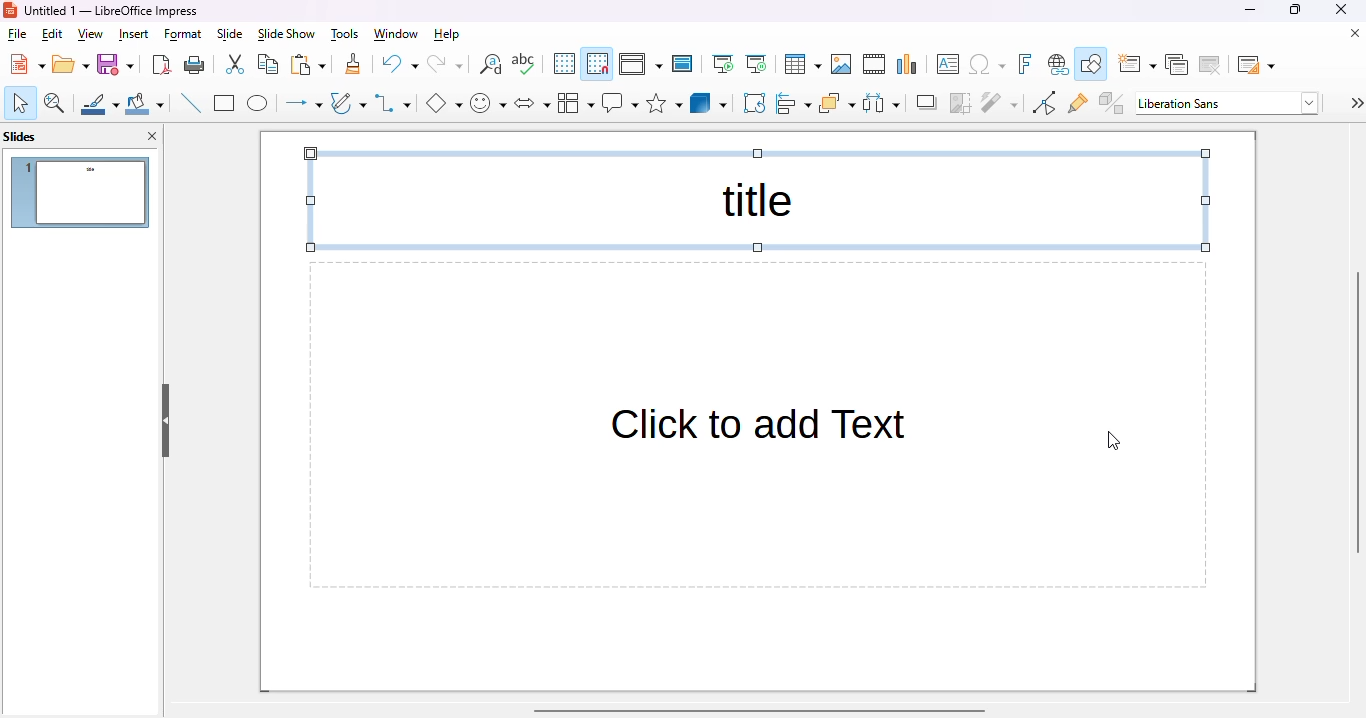  I want to click on Untitled 1 - LibreOffice Impress, so click(115, 10).